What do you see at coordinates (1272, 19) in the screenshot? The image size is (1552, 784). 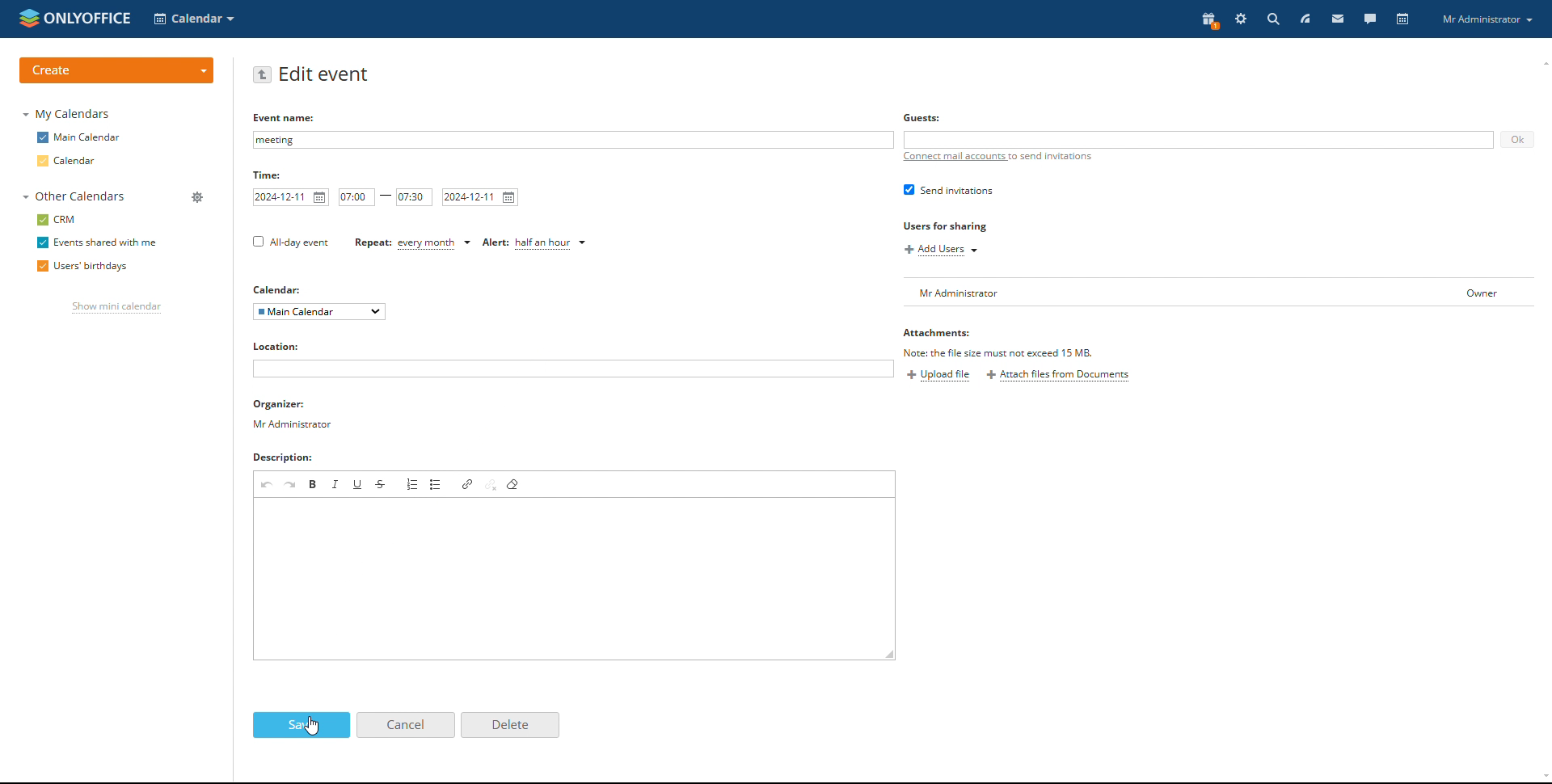 I see `search` at bounding box center [1272, 19].